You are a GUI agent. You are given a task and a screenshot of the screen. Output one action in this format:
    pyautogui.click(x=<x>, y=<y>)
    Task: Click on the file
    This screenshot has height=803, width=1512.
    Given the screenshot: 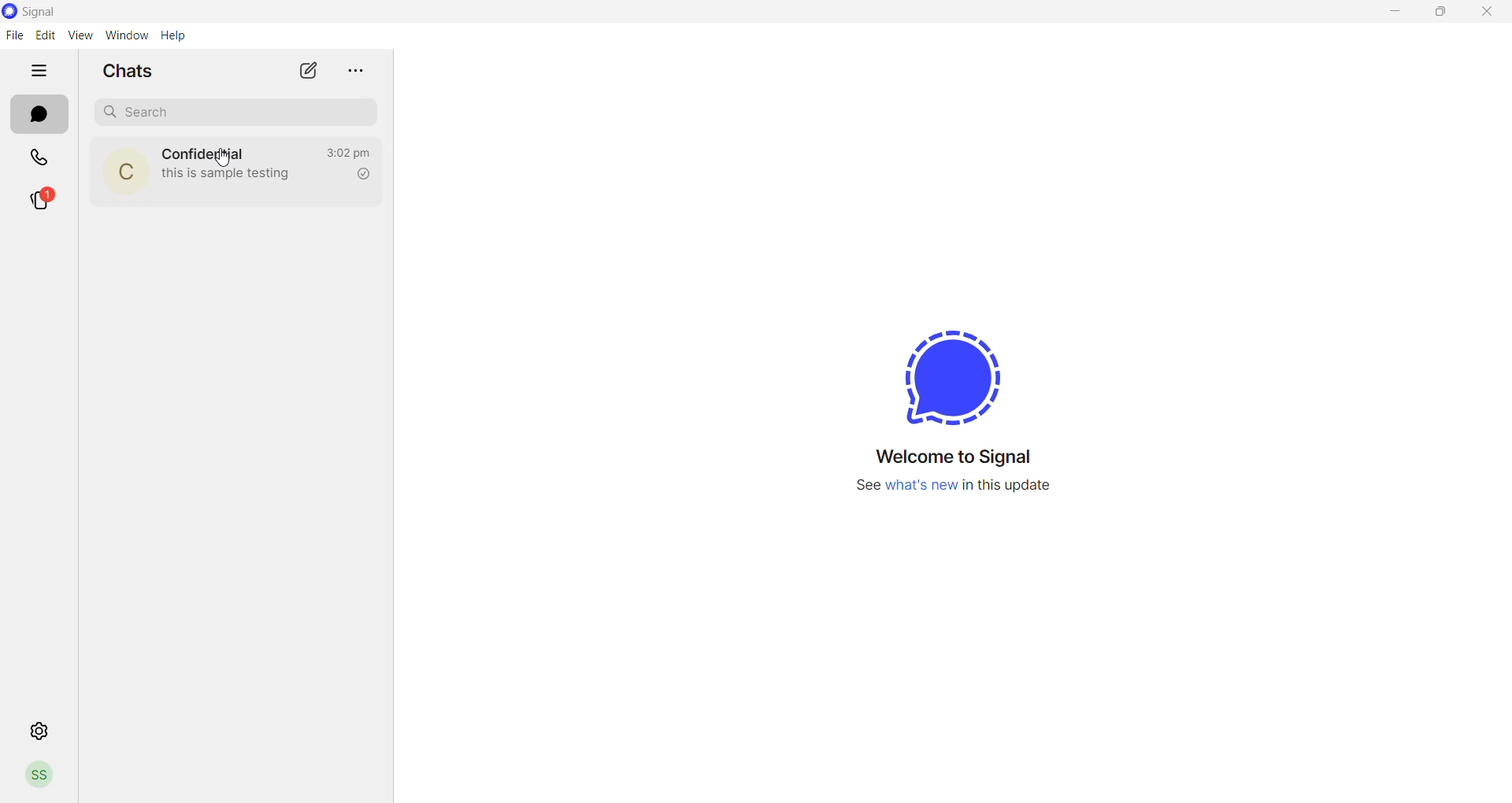 What is the action you would take?
    pyautogui.click(x=13, y=36)
    